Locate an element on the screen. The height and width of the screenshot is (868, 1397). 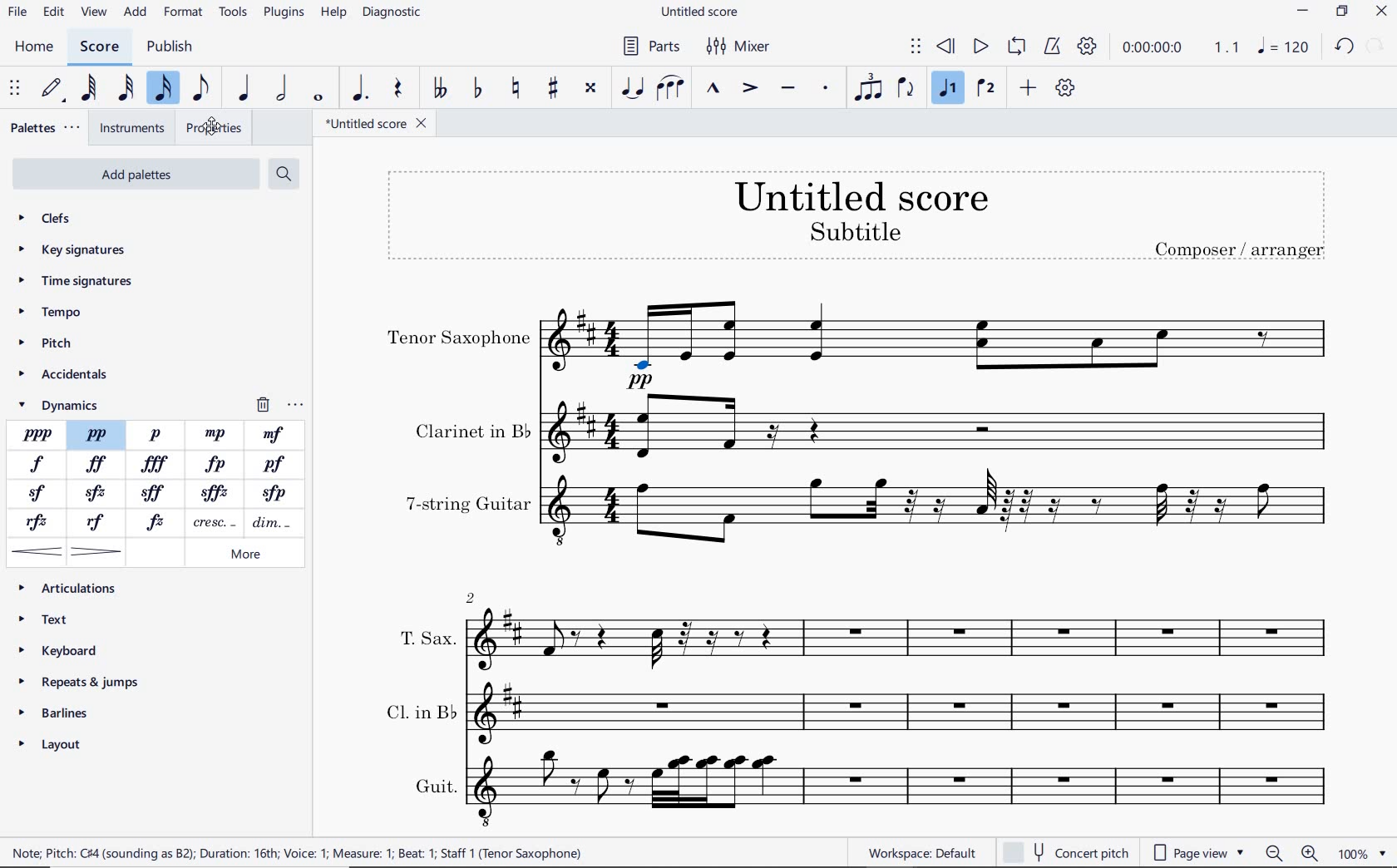
text is located at coordinates (854, 230).